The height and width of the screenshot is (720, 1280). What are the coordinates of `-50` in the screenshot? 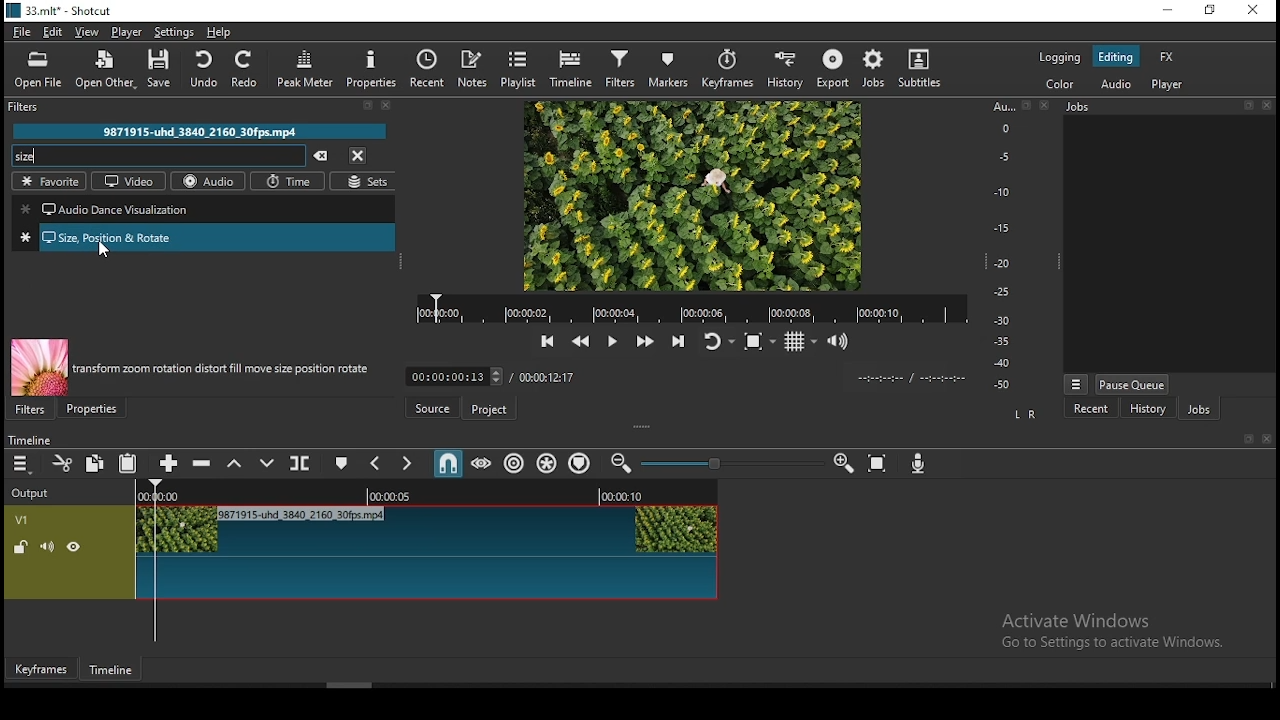 It's located at (1003, 386).